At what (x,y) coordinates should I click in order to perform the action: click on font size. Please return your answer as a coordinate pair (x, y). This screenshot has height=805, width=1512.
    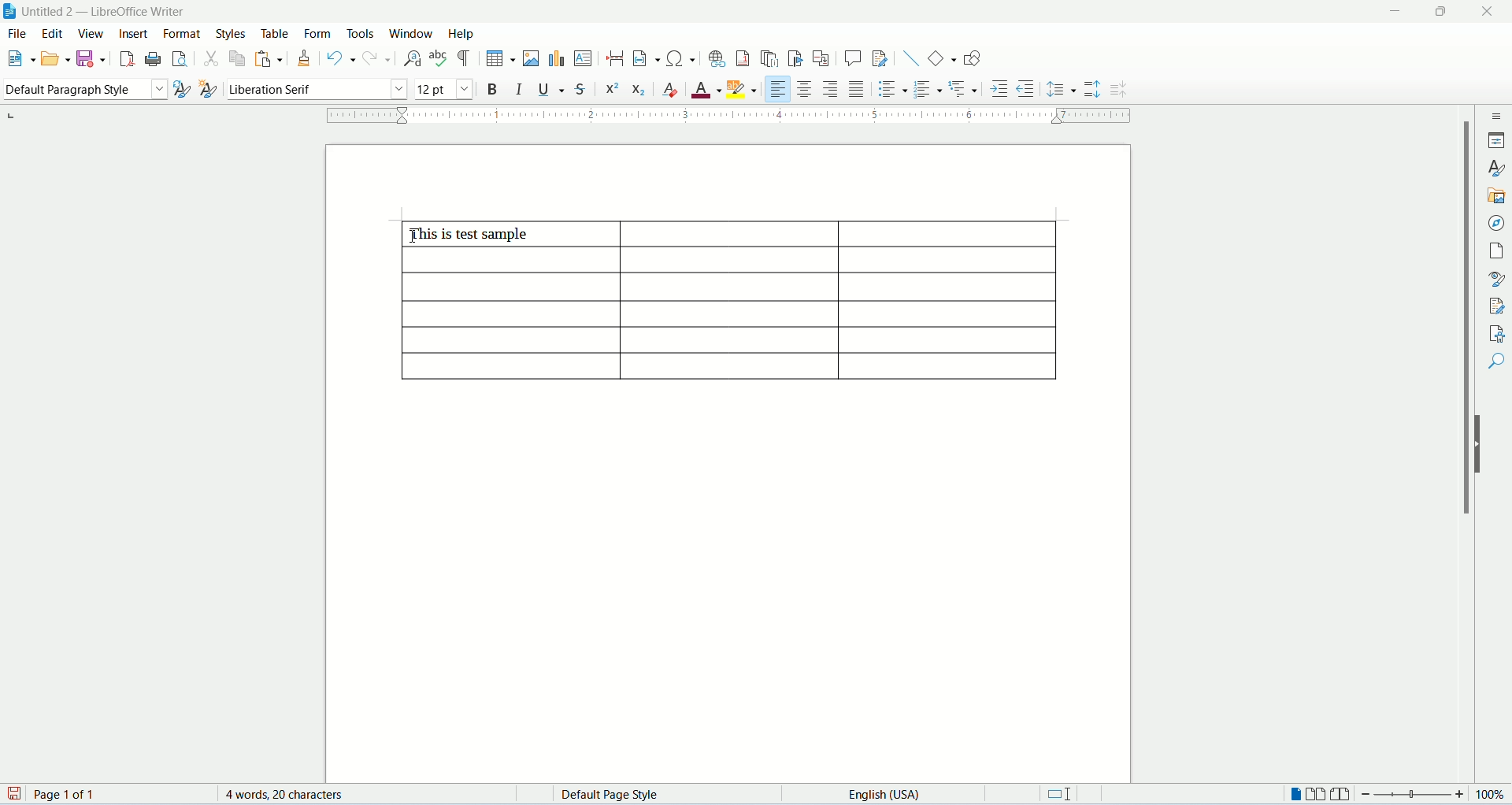
    Looking at the image, I should click on (445, 90).